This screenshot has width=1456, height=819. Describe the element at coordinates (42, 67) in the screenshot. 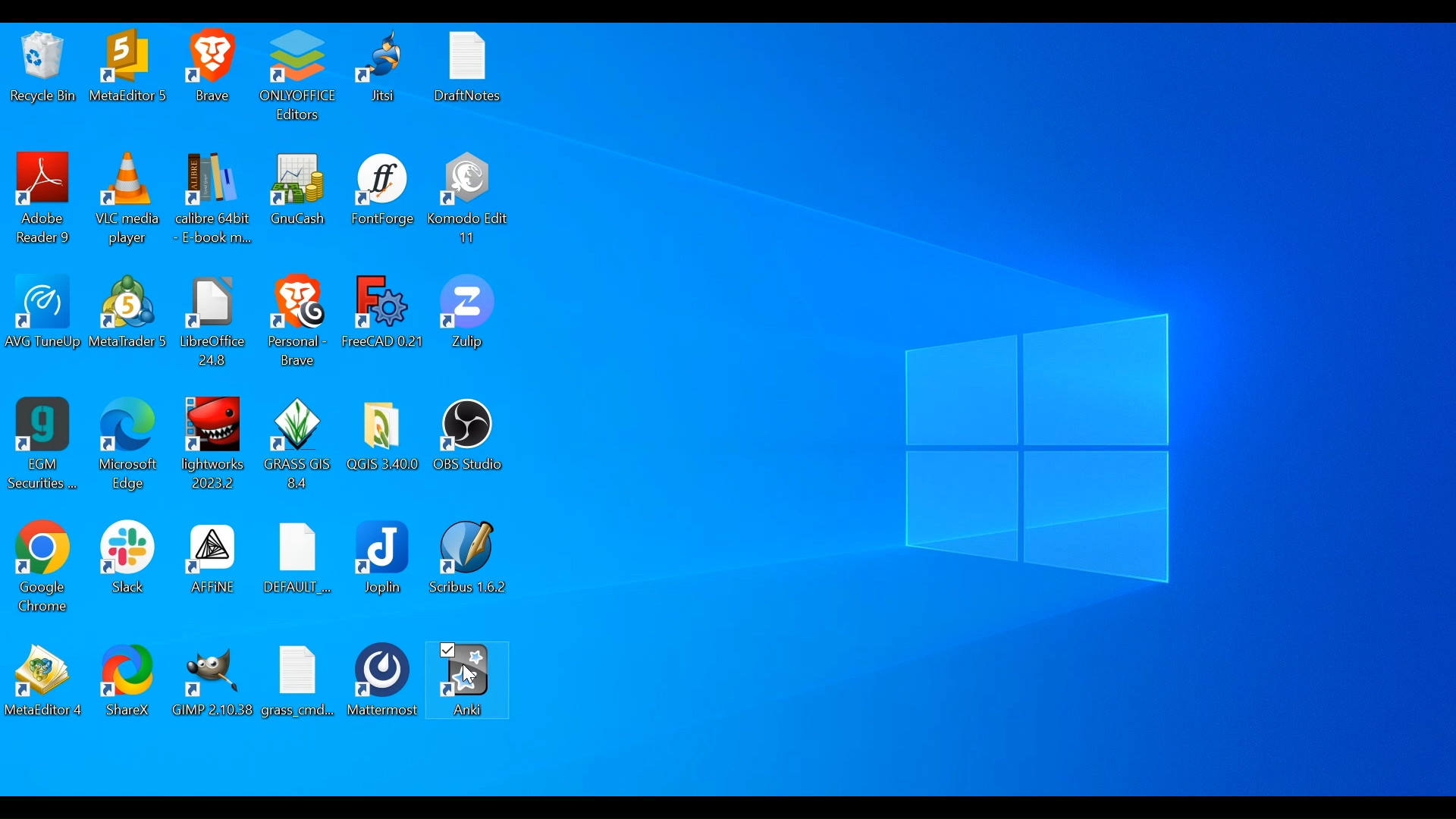

I see `Recycle bin` at that location.